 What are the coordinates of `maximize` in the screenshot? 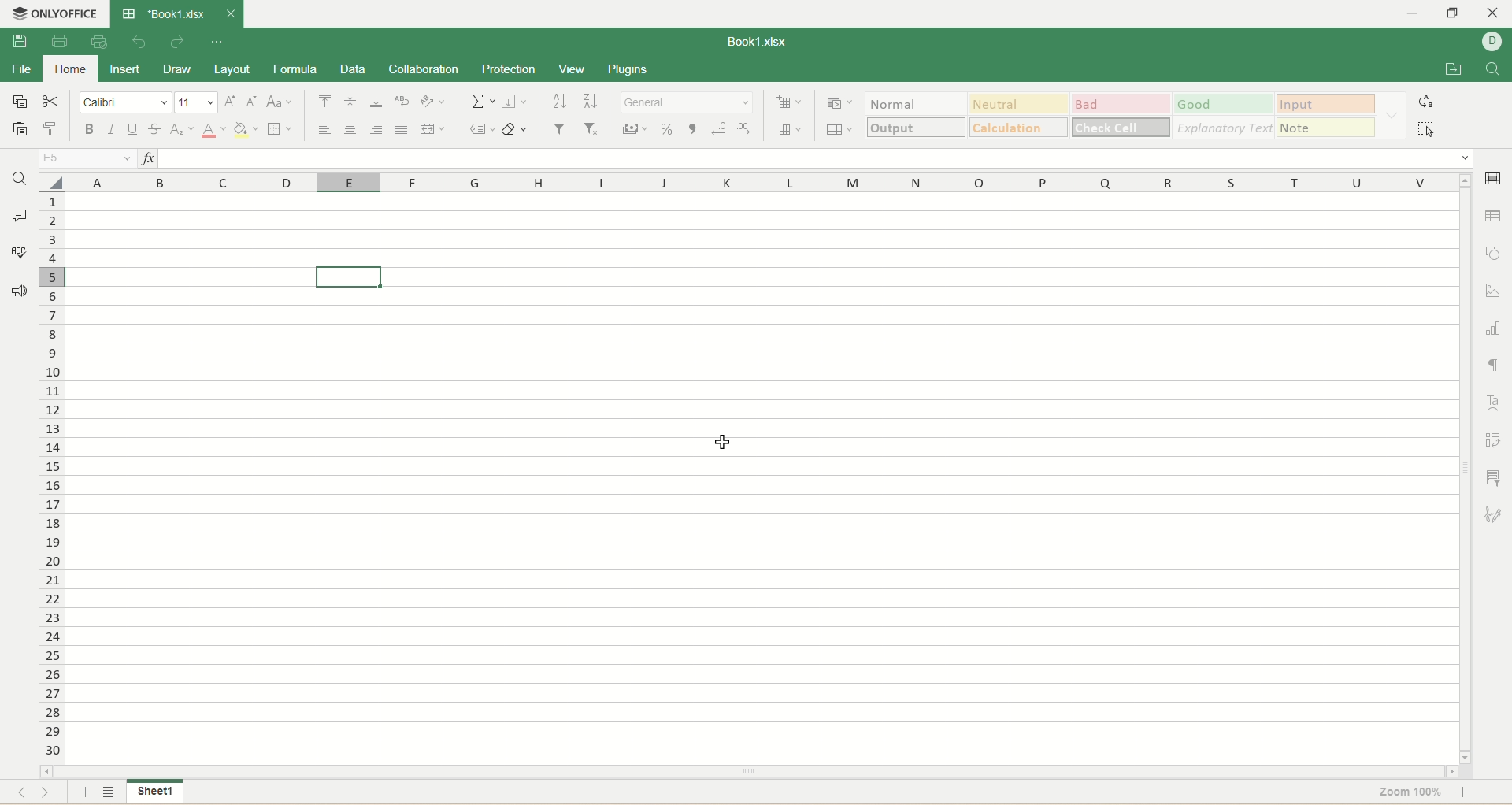 It's located at (1451, 13).